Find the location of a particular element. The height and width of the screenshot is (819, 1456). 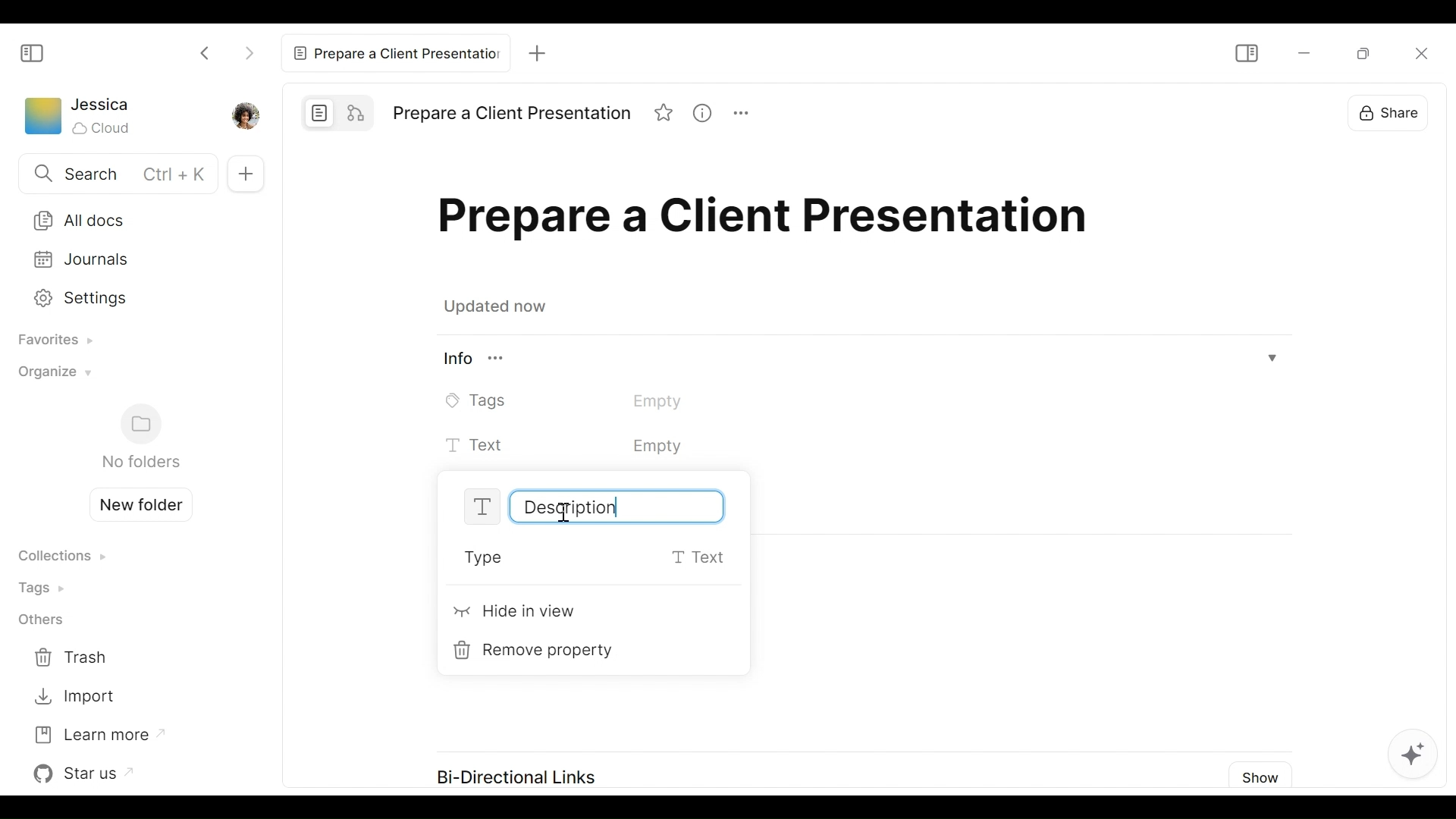

Organize is located at coordinates (51, 376).